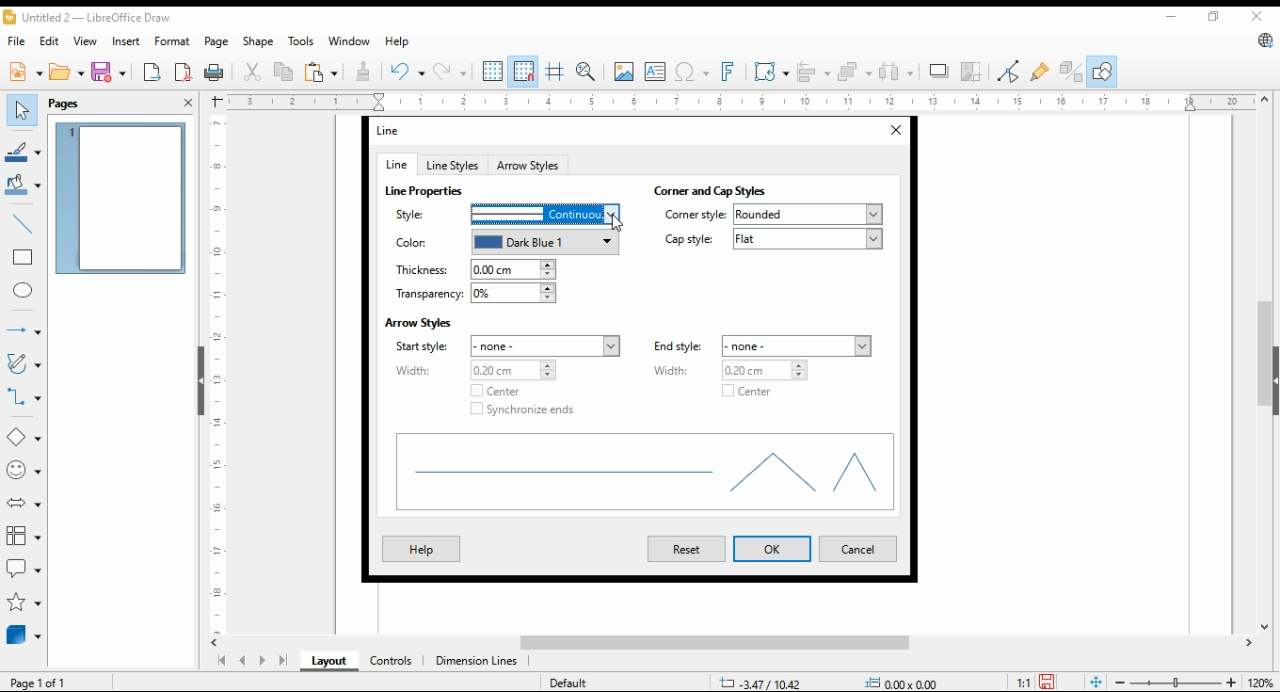  Describe the element at coordinates (259, 41) in the screenshot. I see `shape` at that location.